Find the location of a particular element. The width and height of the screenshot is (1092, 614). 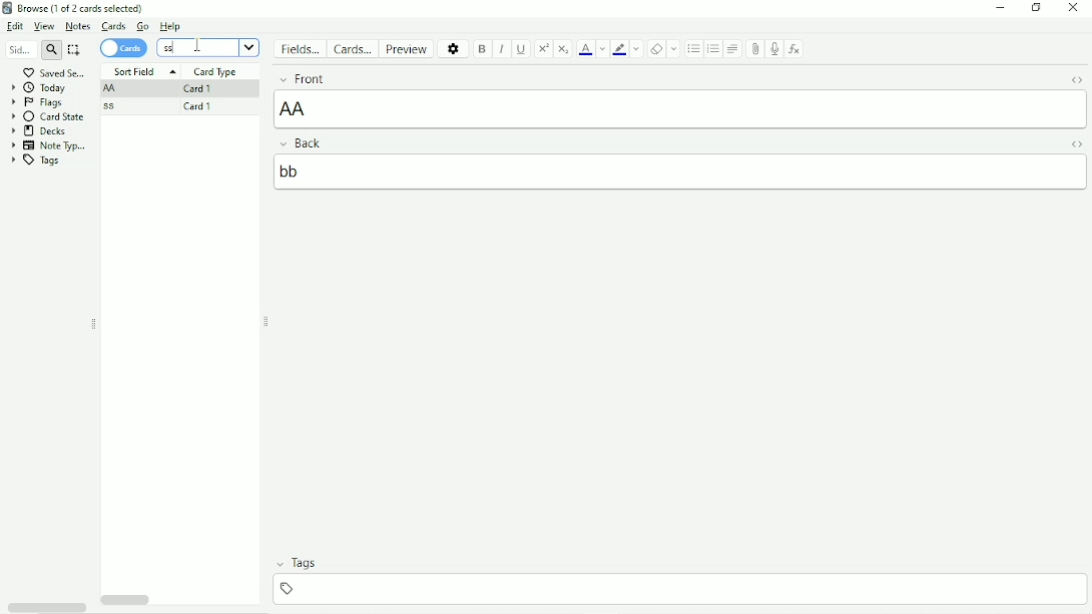

Notes is located at coordinates (78, 26).